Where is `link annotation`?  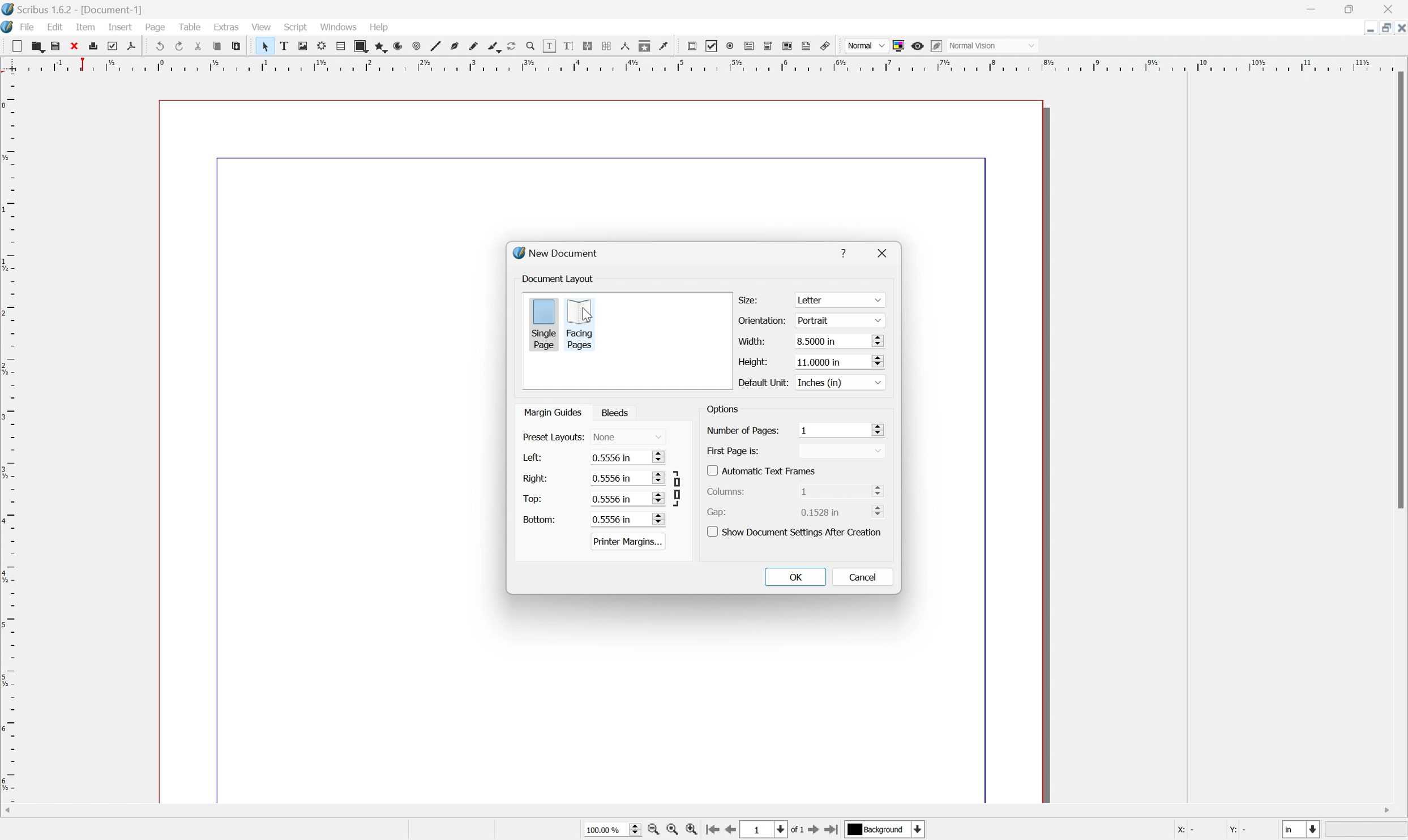 link annotation is located at coordinates (828, 45).